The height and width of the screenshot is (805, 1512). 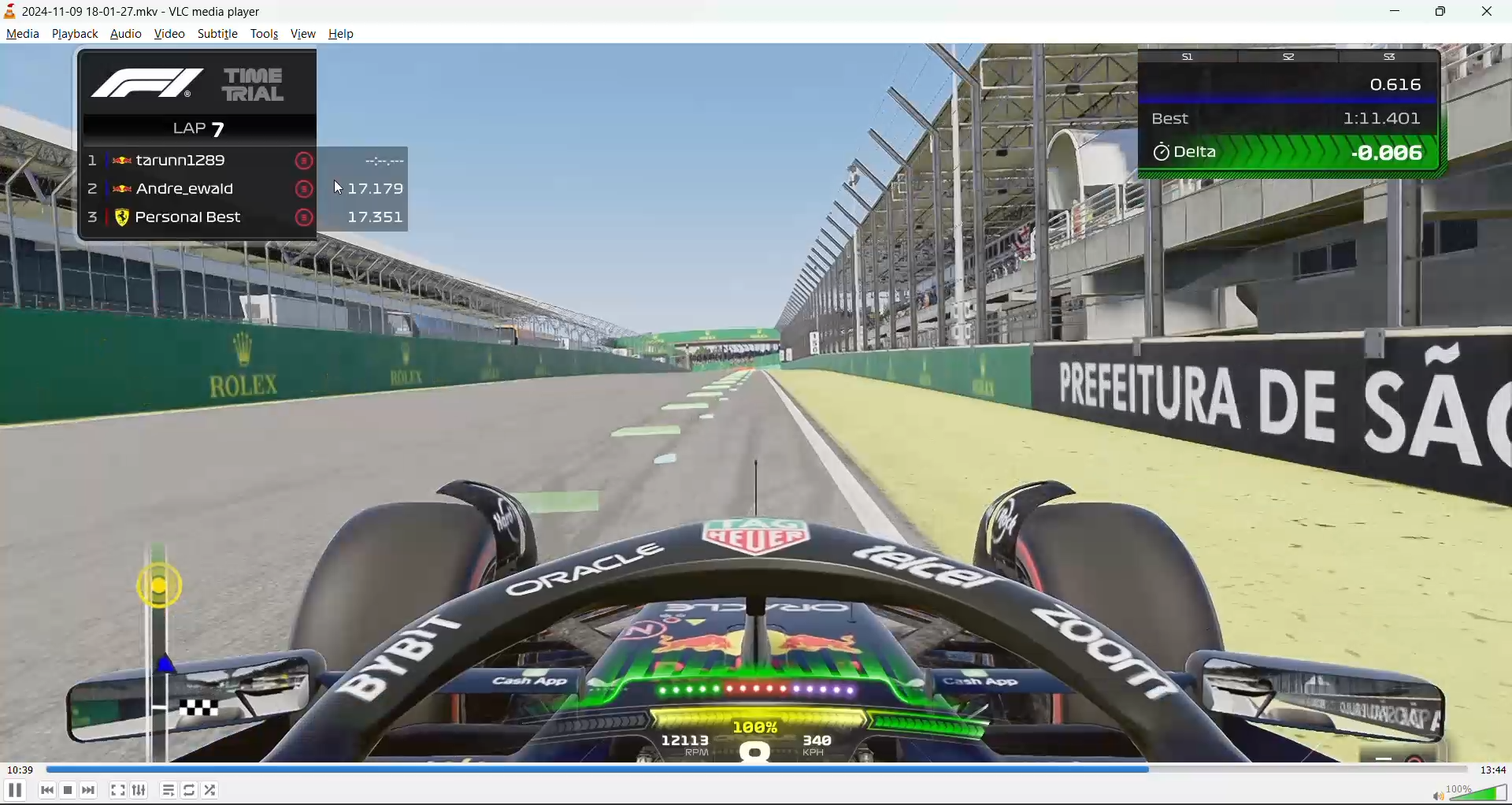 I want to click on volume, so click(x=1468, y=793).